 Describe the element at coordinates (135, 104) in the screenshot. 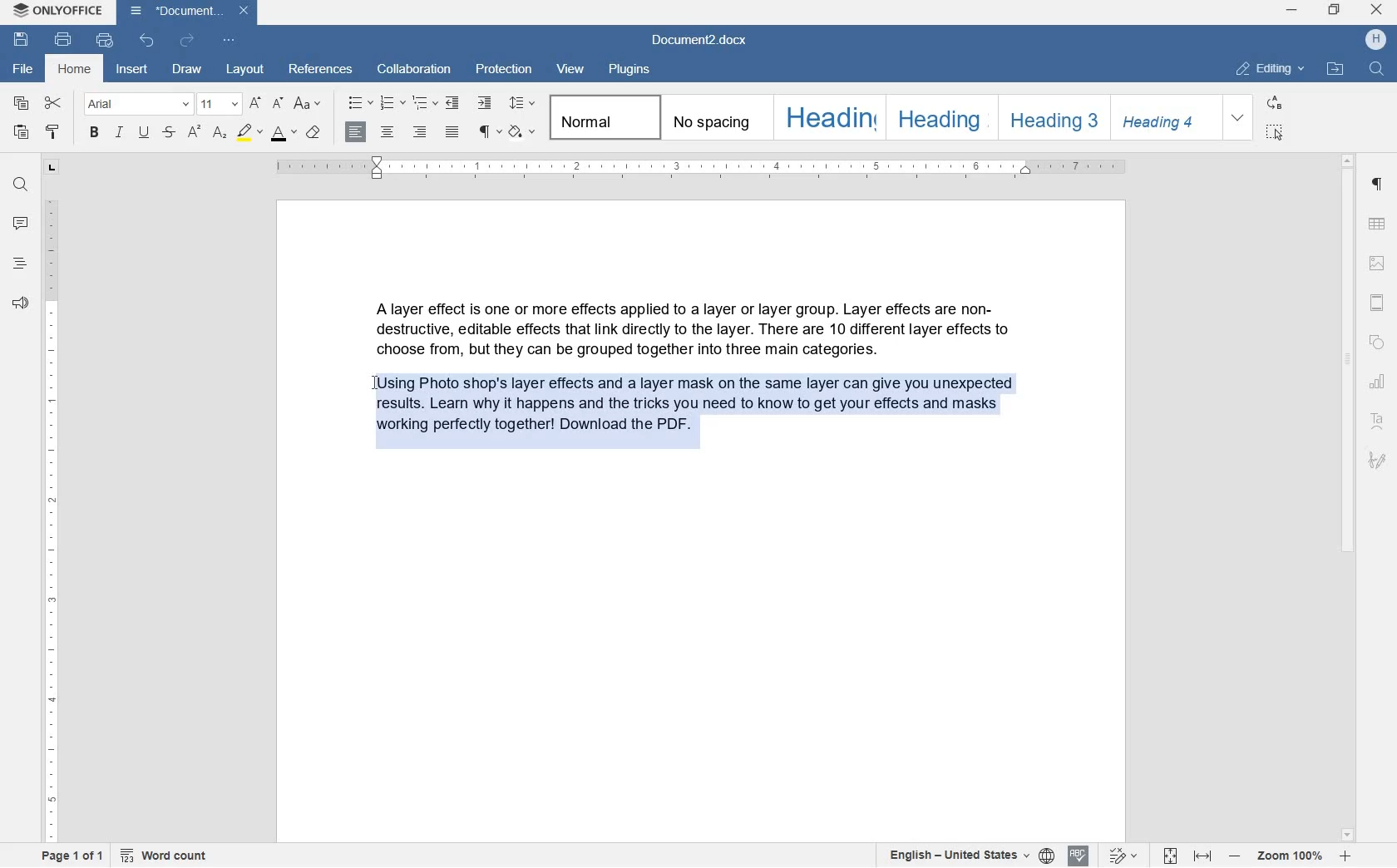

I see `FONT NAME` at that location.